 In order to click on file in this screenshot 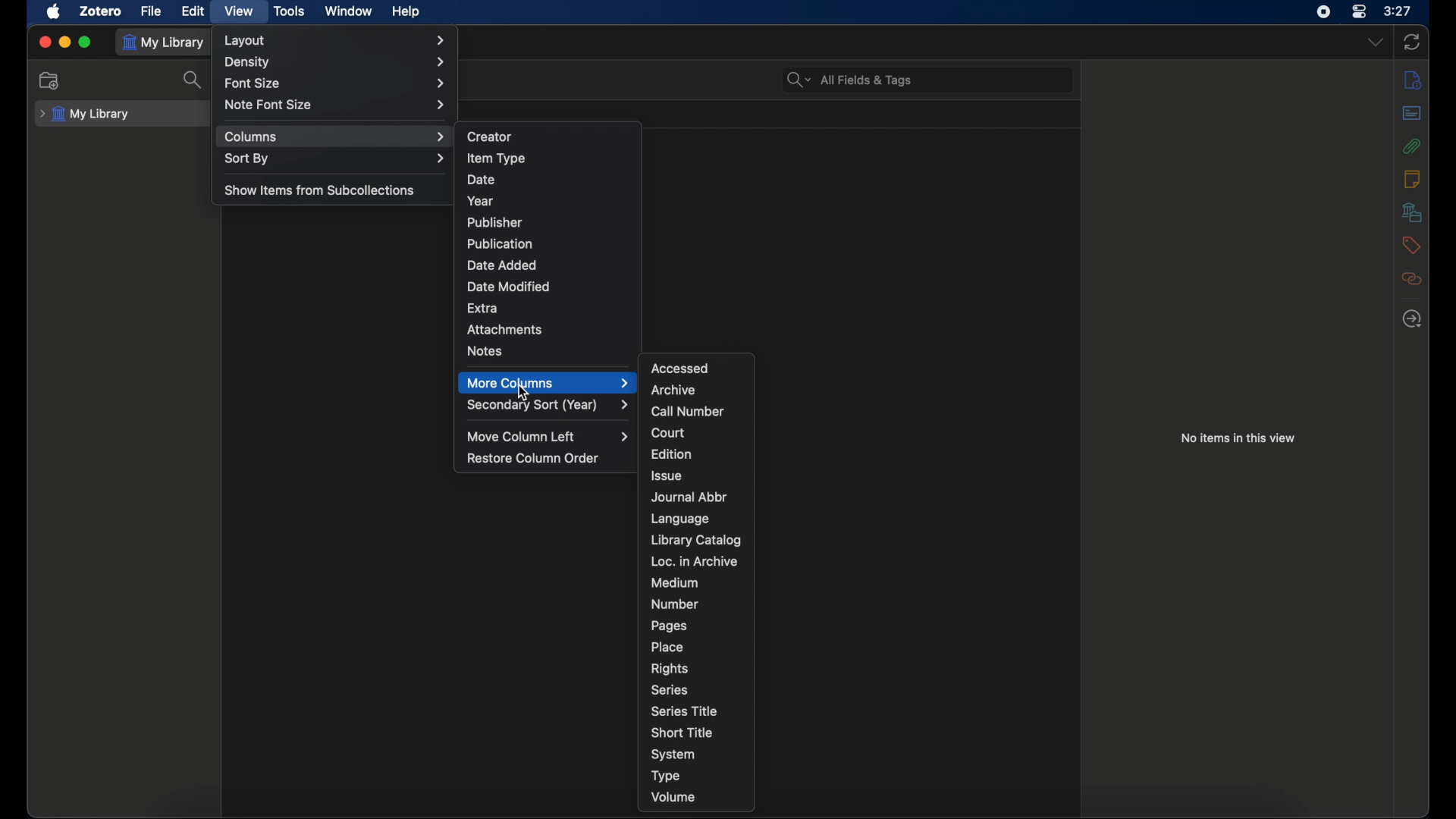, I will do `click(152, 11)`.